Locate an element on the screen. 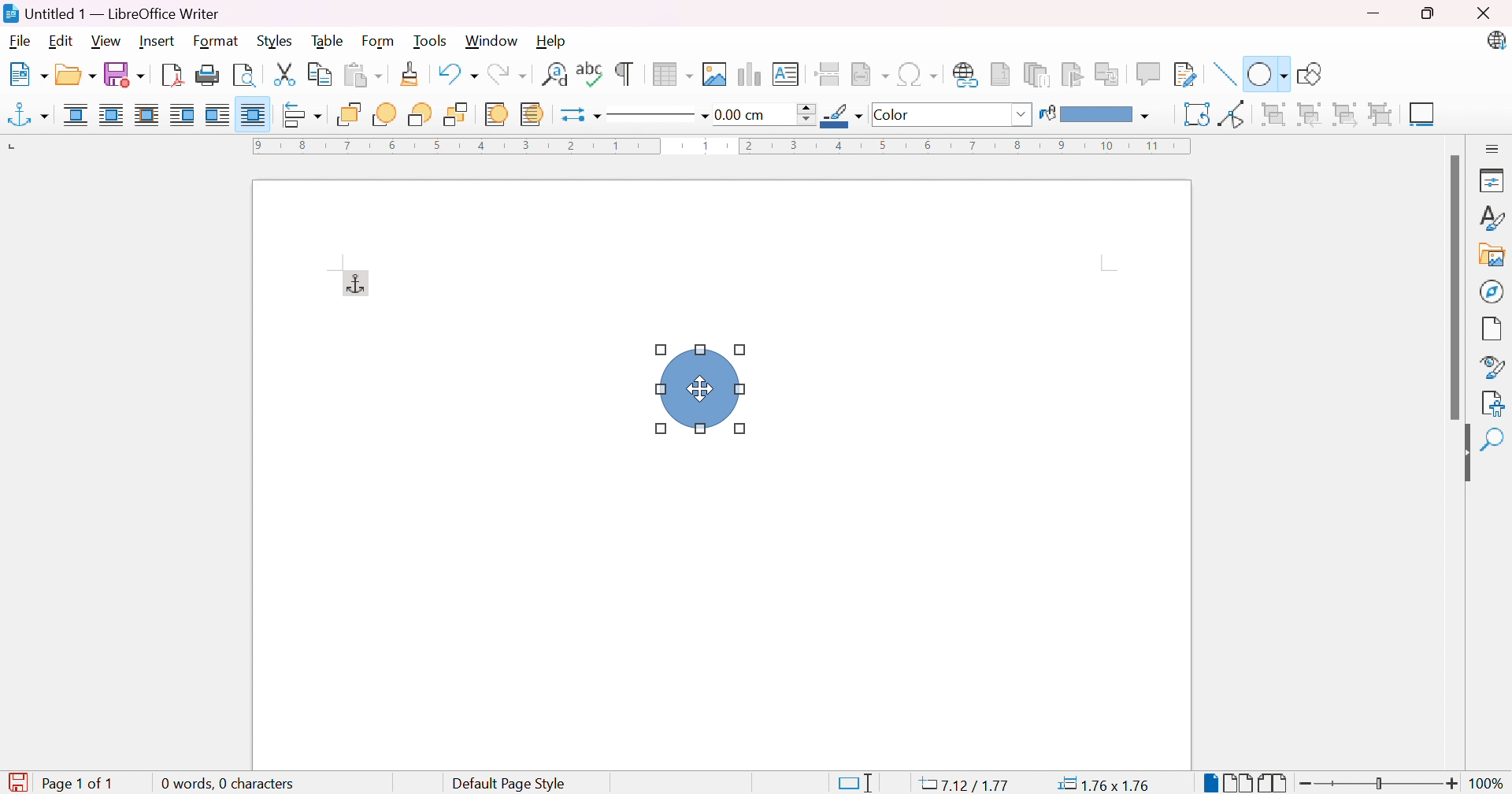 The height and width of the screenshot is (794, 1512). The document has been modified. Click to save the document. is located at coordinates (17, 783).